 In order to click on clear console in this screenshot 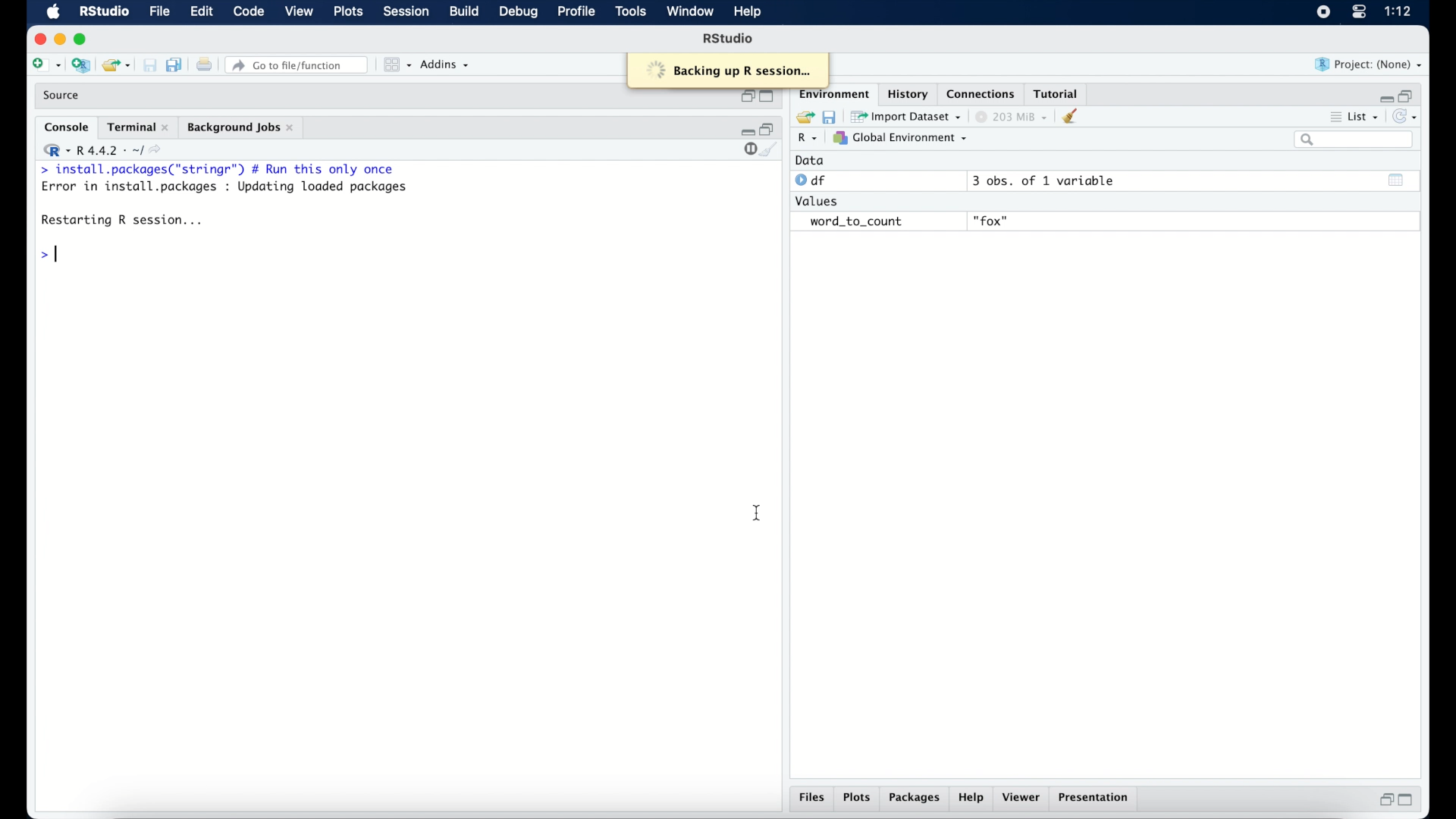, I will do `click(1074, 116)`.